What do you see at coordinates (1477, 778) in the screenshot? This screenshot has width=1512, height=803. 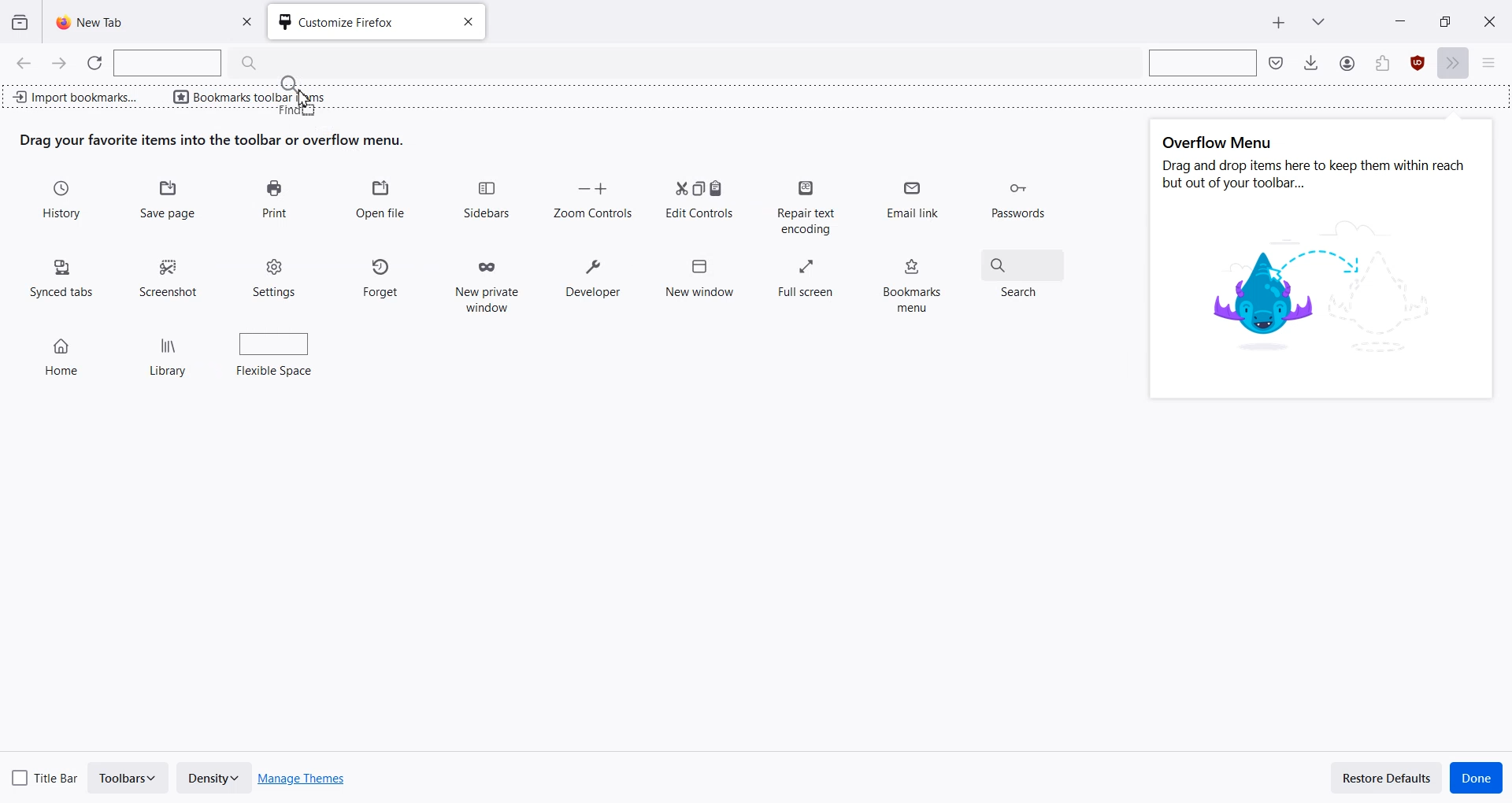 I see `Done` at bounding box center [1477, 778].